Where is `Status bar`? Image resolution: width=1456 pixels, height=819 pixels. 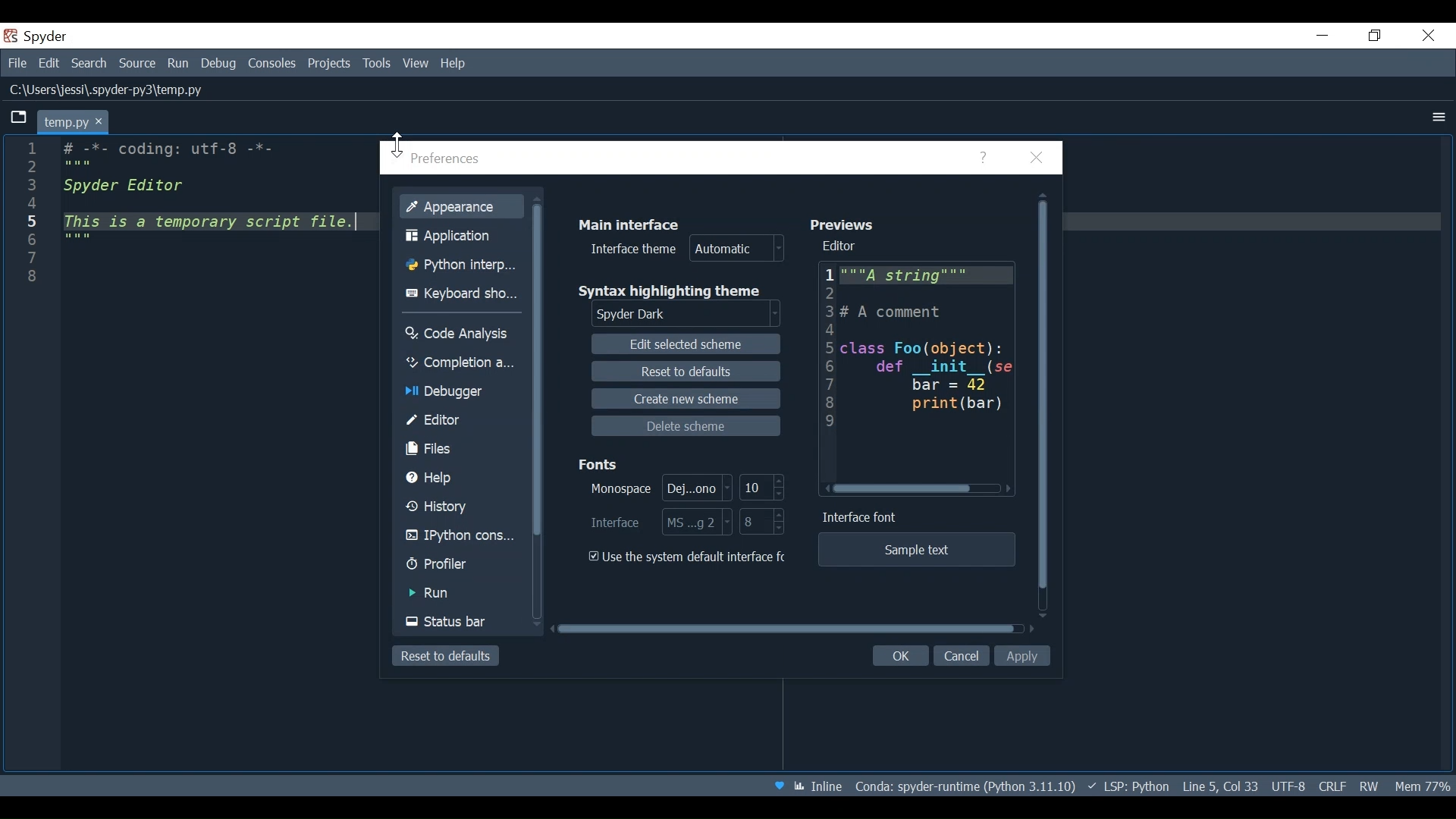
Status bar is located at coordinates (460, 623).